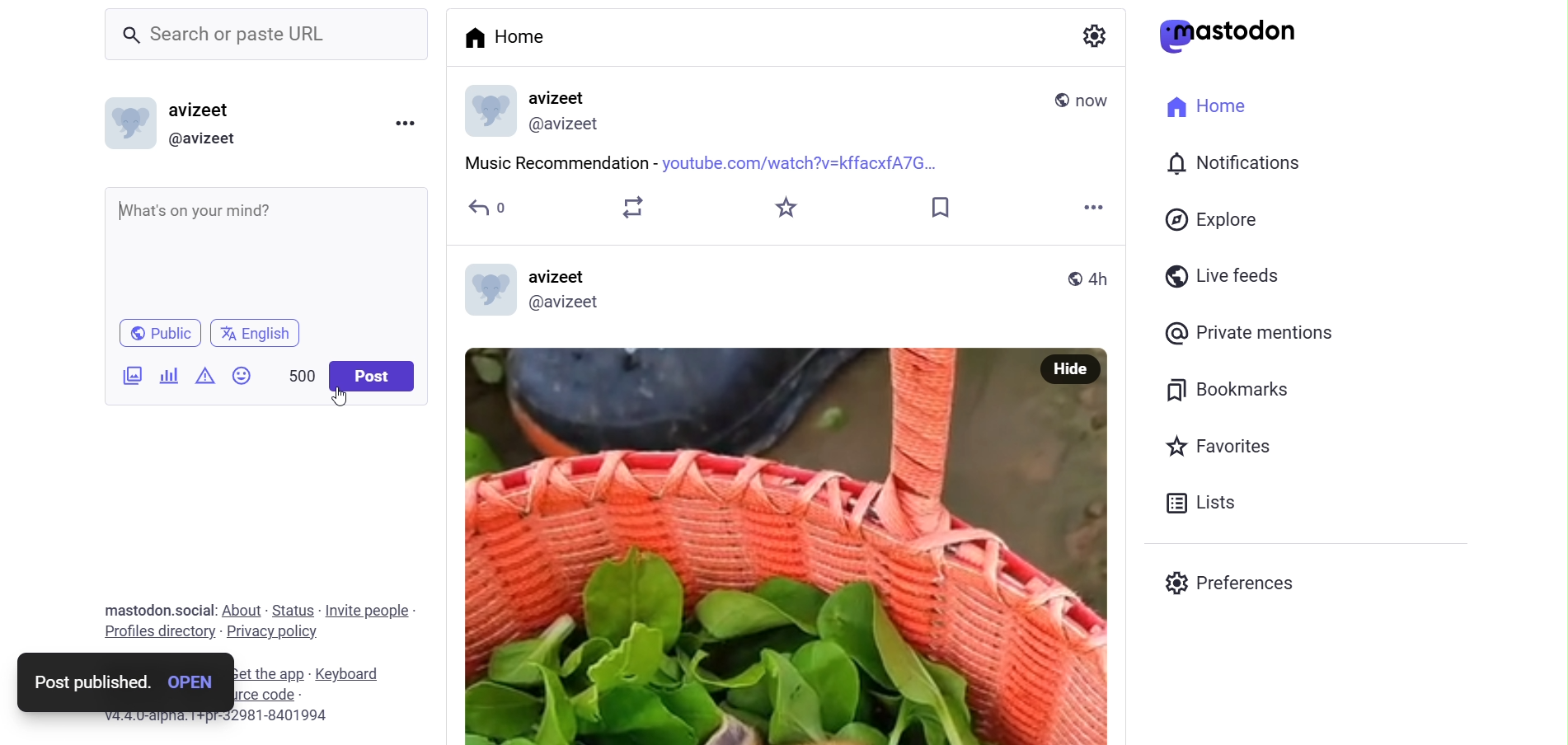 This screenshot has width=1568, height=745. Describe the element at coordinates (1199, 501) in the screenshot. I see `Lists` at that location.